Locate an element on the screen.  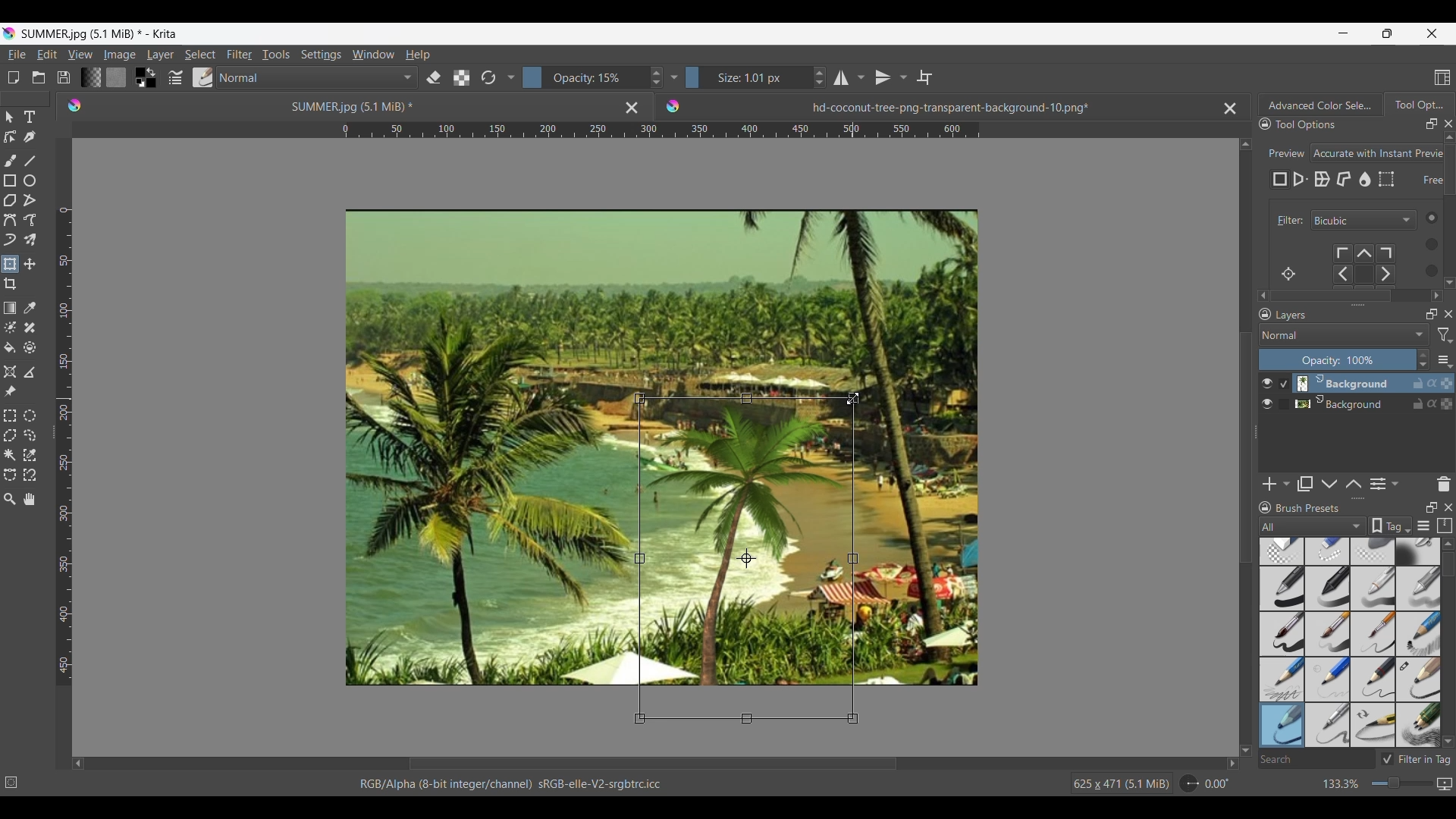
Transform tool is located at coordinates (9, 264).